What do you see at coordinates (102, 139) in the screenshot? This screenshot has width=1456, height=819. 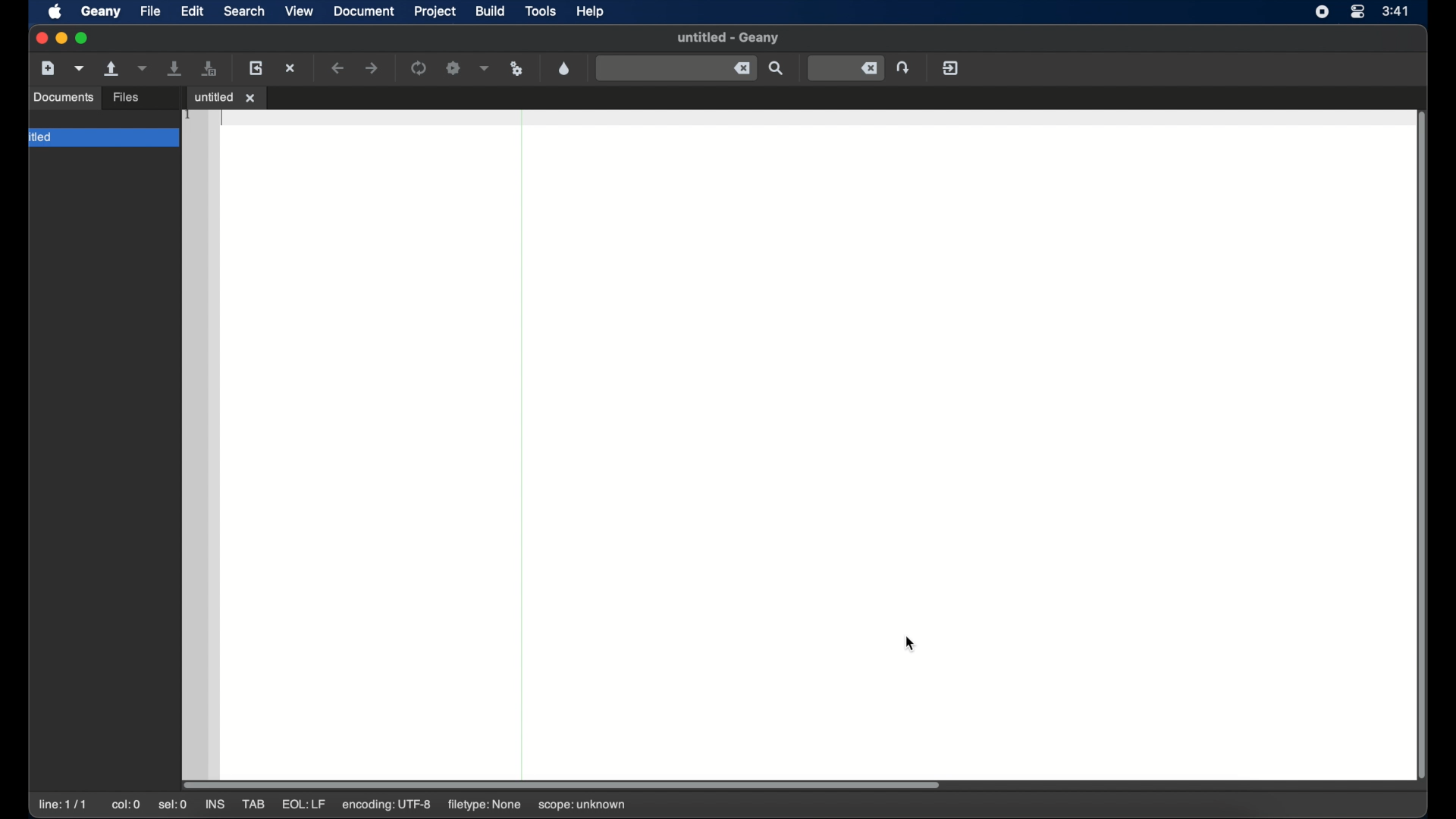 I see `untitled` at bounding box center [102, 139].